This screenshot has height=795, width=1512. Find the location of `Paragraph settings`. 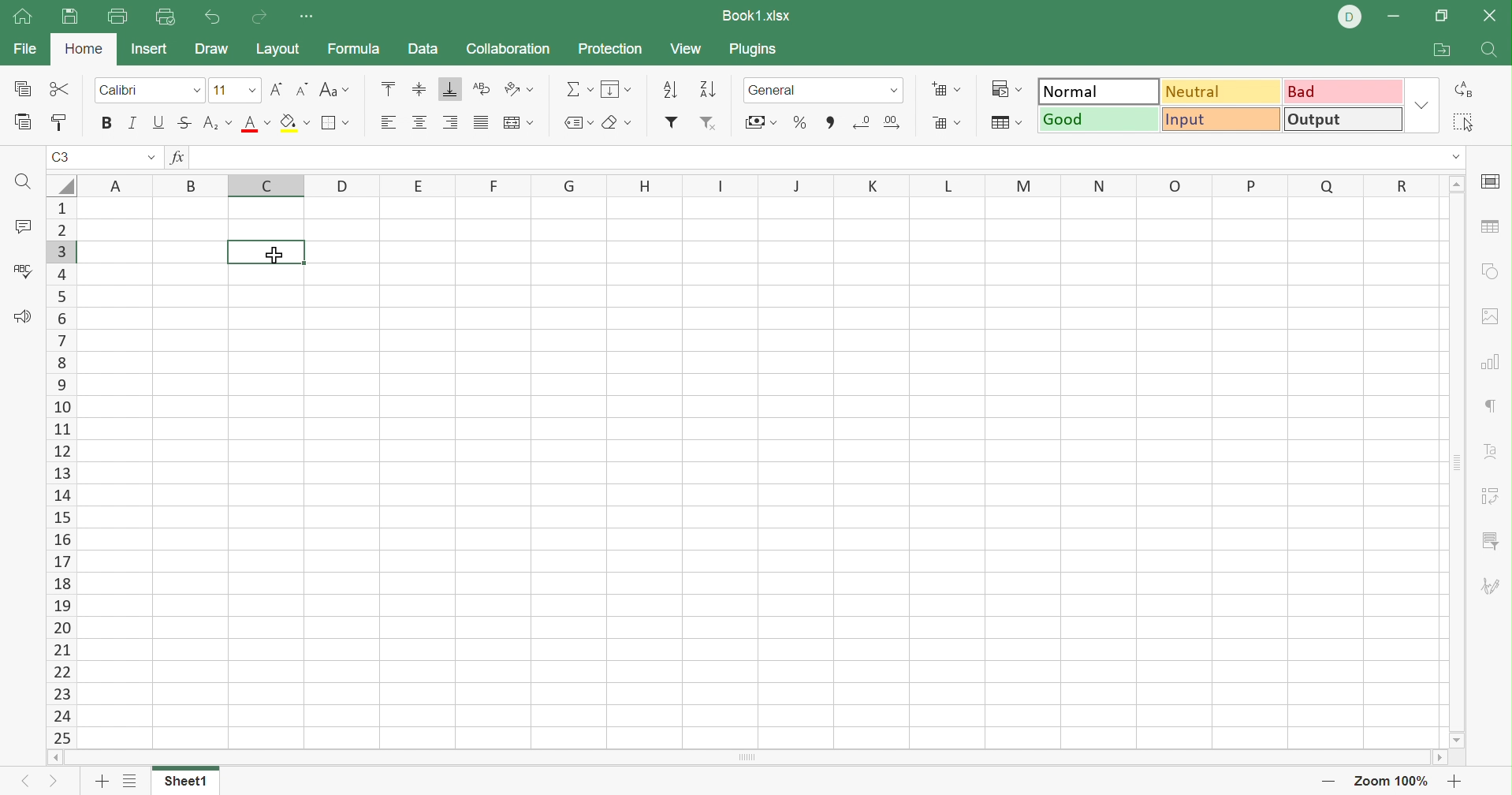

Paragraph settings is located at coordinates (1488, 405).